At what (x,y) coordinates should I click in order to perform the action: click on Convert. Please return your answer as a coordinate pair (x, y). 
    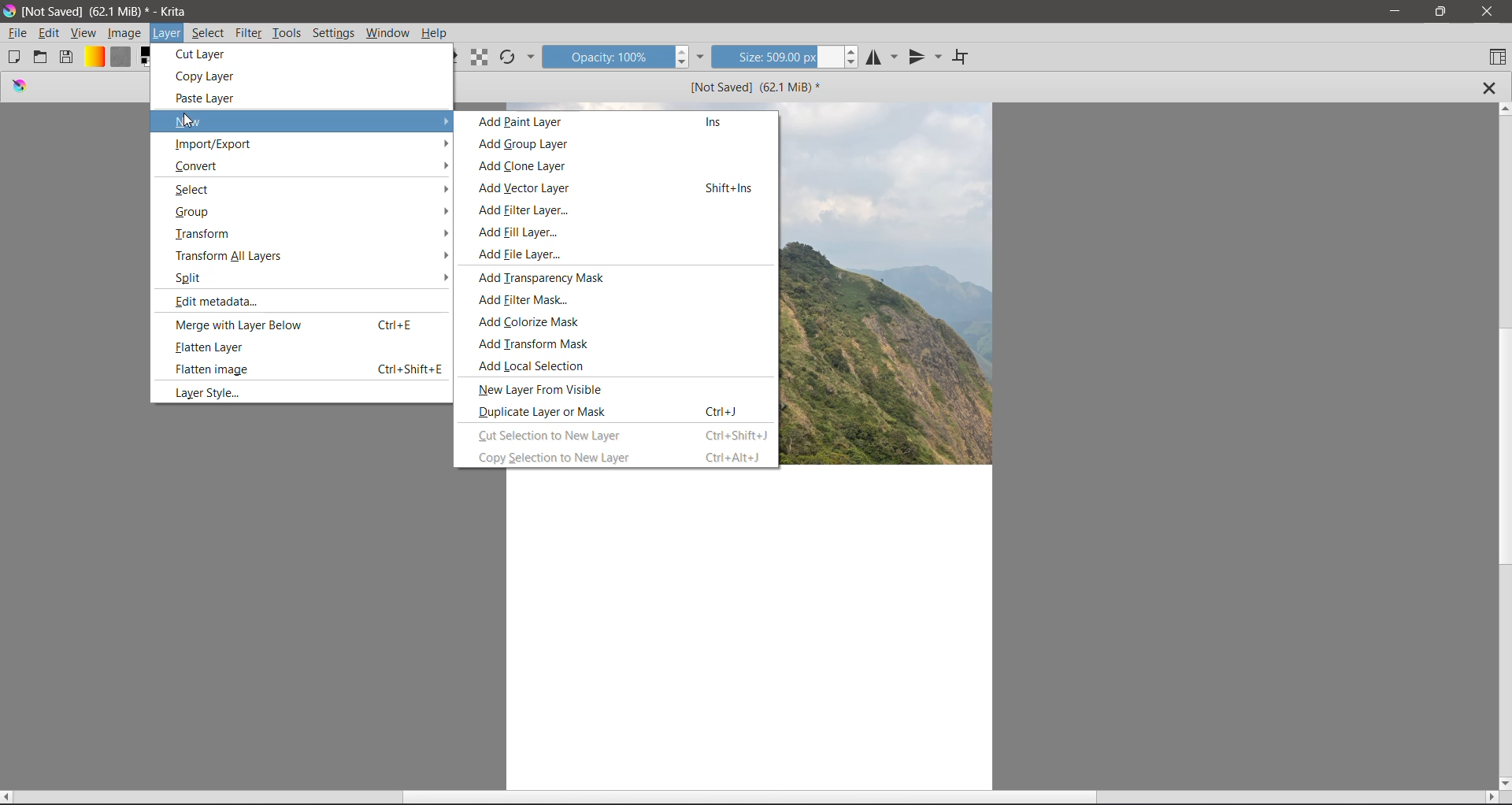
    Looking at the image, I should click on (309, 167).